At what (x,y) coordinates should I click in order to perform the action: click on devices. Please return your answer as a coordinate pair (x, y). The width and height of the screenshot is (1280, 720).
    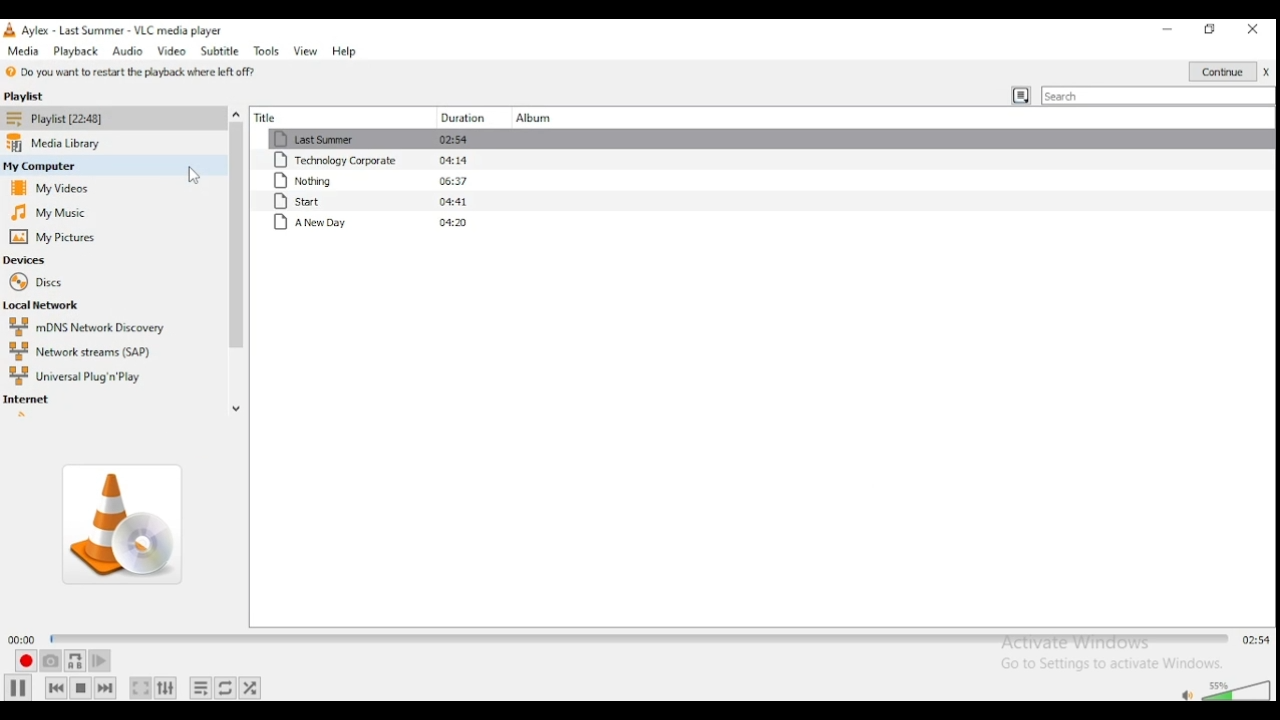
    Looking at the image, I should click on (29, 260).